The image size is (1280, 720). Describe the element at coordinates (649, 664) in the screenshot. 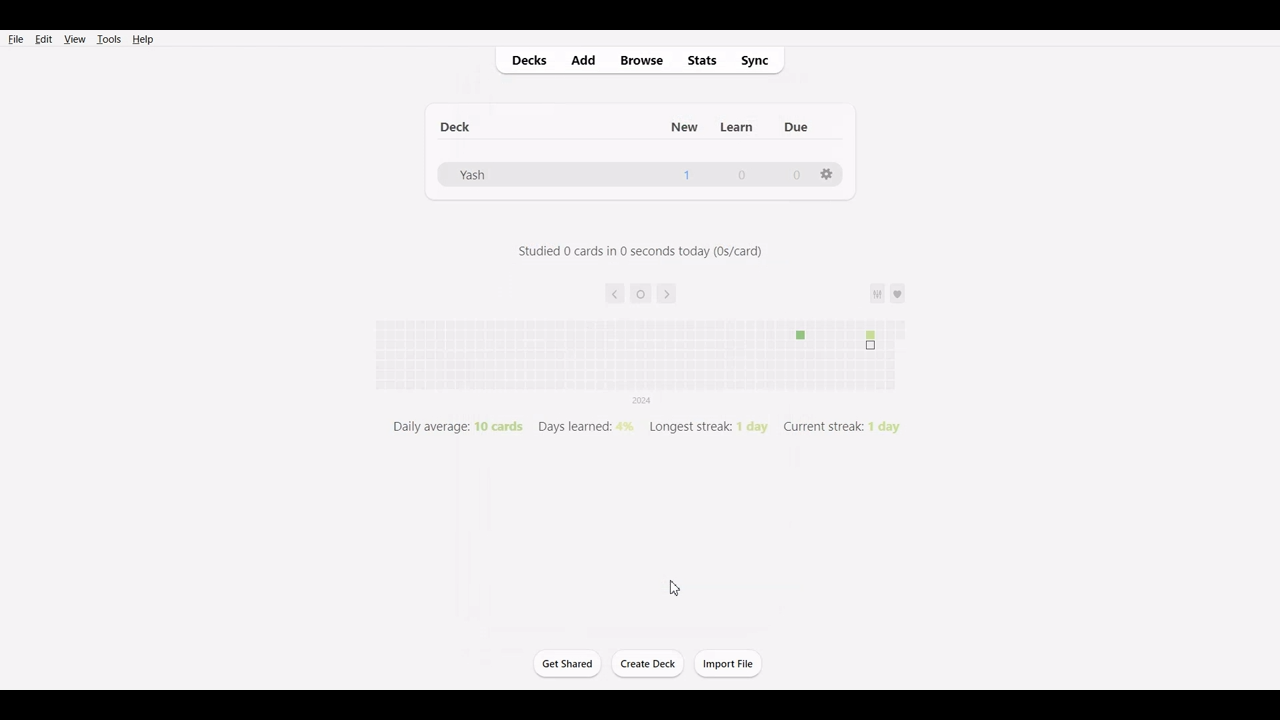

I see `Create Deck` at that location.